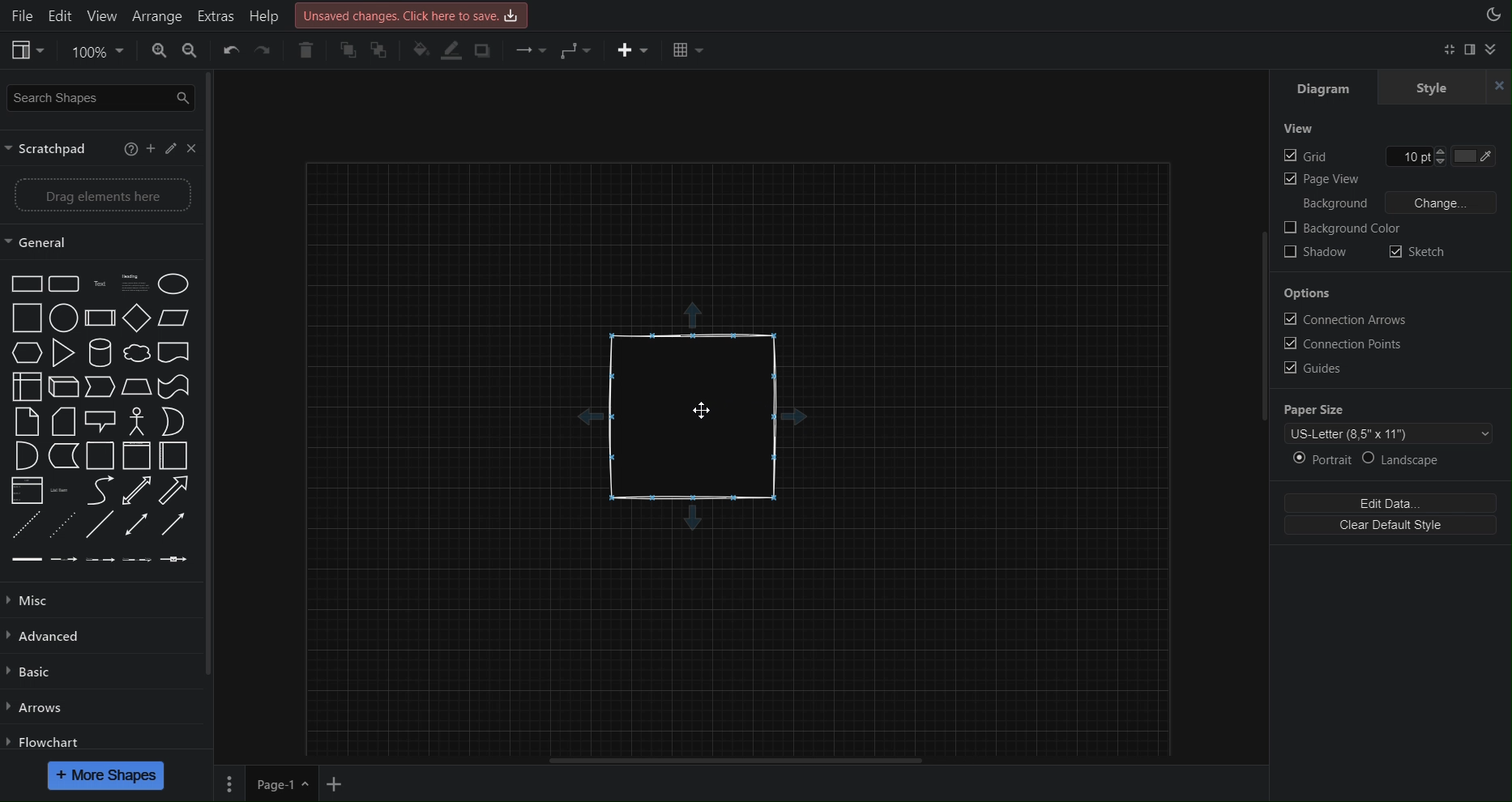  What do you see at coordinates (1493, 17) in the screenshot?
I see `Appearance` at bounding box center [1493, 17].